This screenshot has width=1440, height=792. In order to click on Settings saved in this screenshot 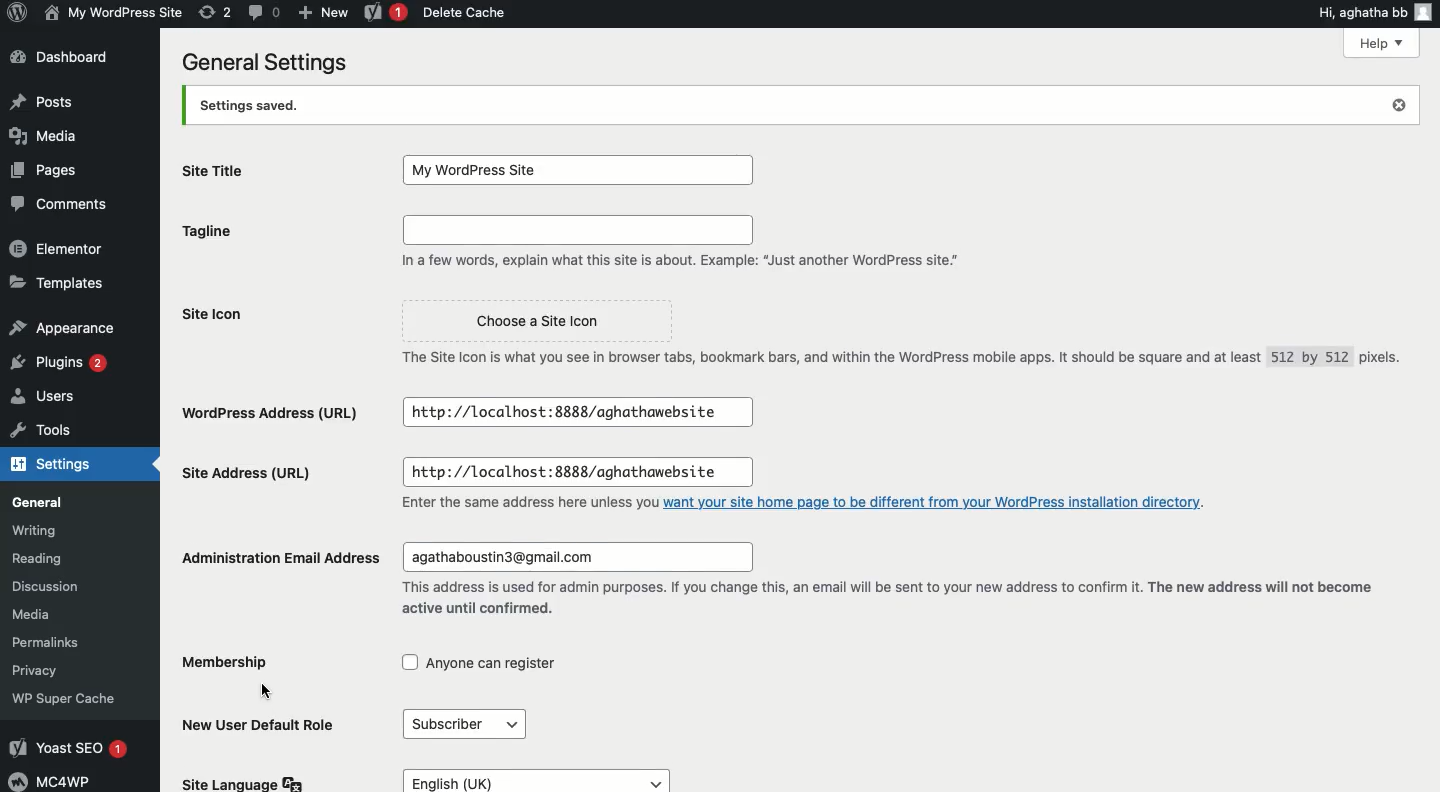, I will do `click(802, 105)`.